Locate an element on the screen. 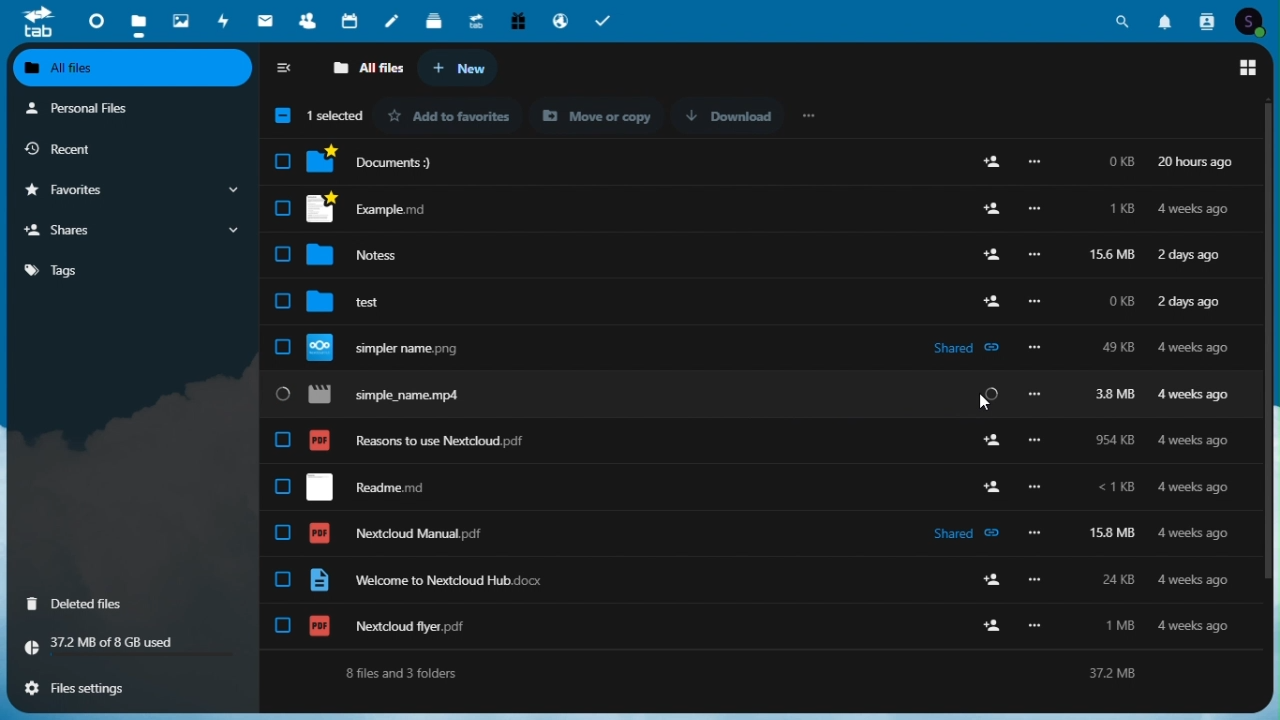 This screenshot has height=720, width=1280. All files is located at coordinates (135, 68).